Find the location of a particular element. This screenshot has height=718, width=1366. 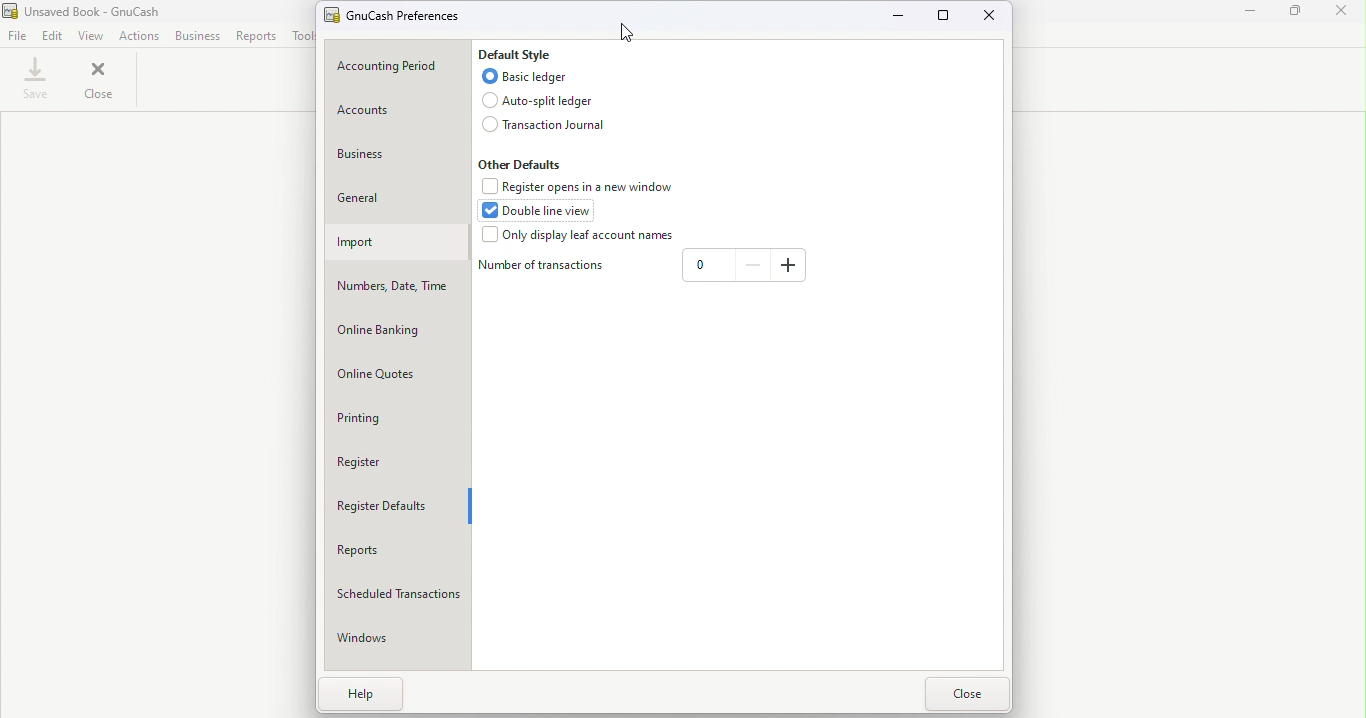

Register defaults is located at coordinates (393, 505).